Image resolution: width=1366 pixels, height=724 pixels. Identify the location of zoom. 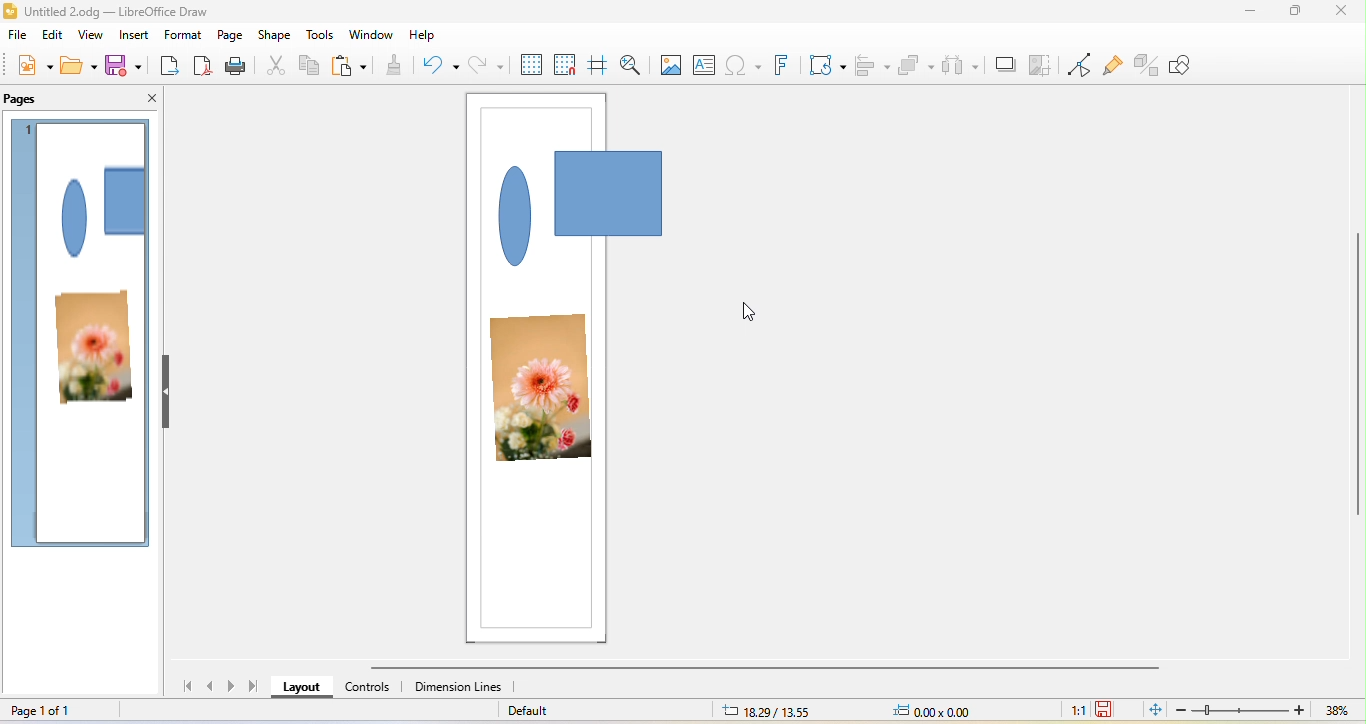
(1265, 711).